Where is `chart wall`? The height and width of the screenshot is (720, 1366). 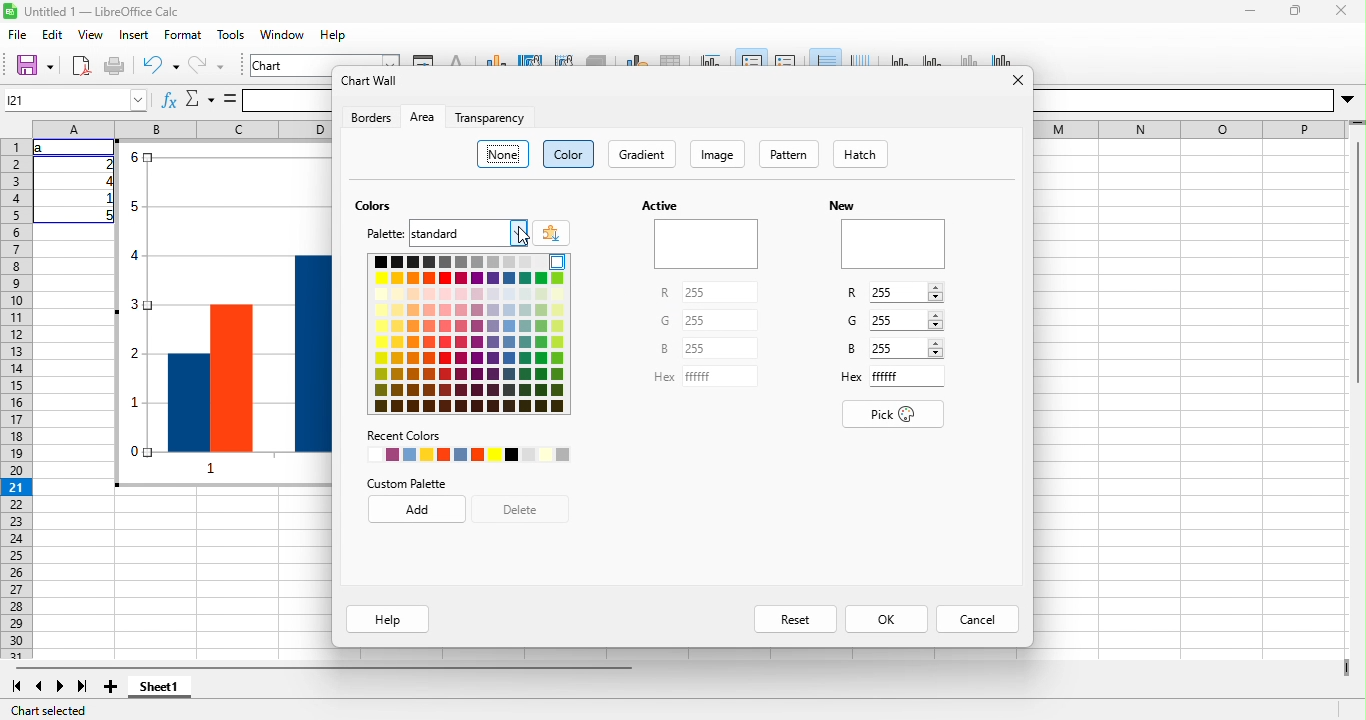
chart wall is located at coordinates (564, 59).